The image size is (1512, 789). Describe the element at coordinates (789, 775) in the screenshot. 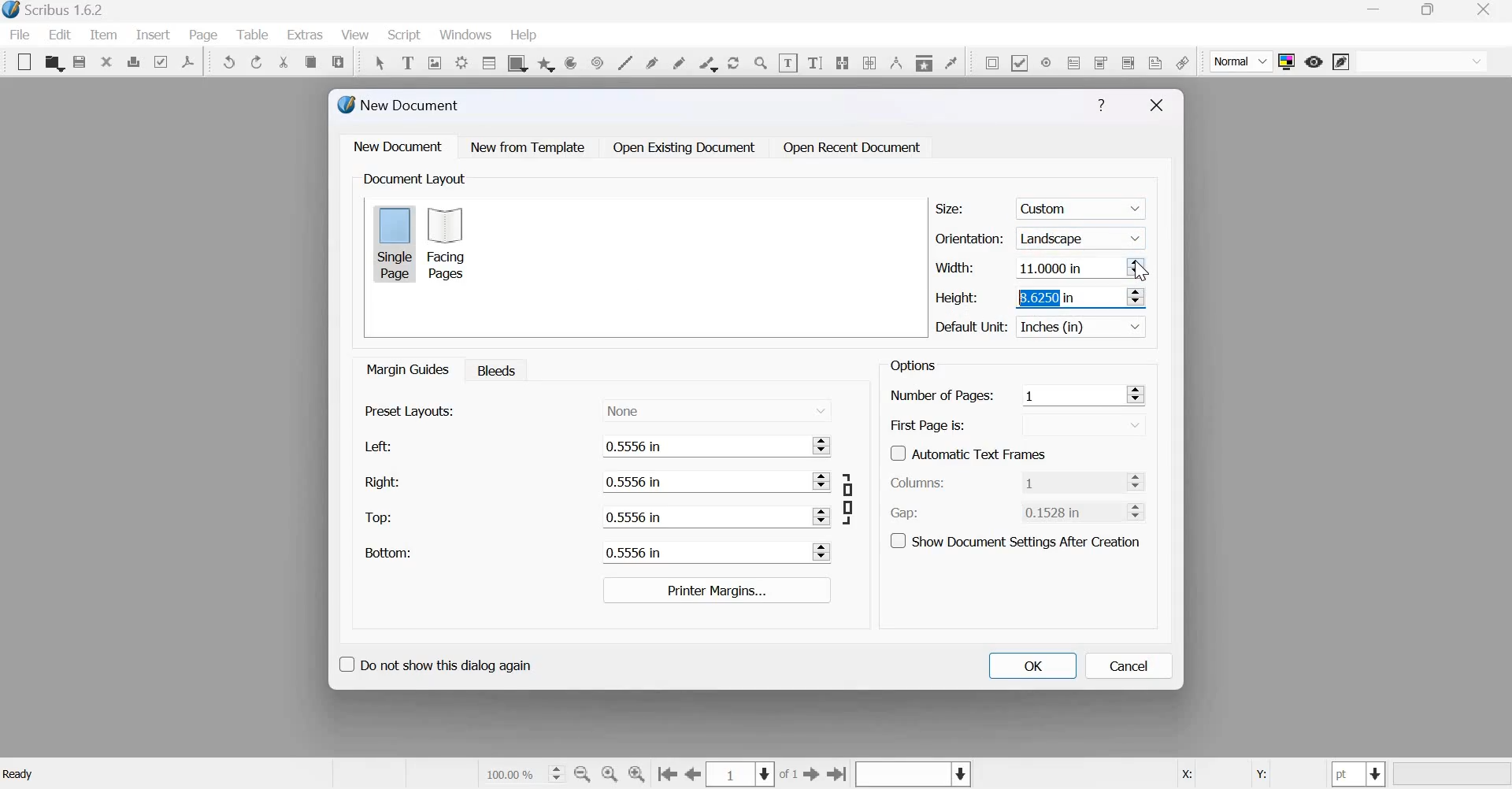

I see `of 1` at that location.